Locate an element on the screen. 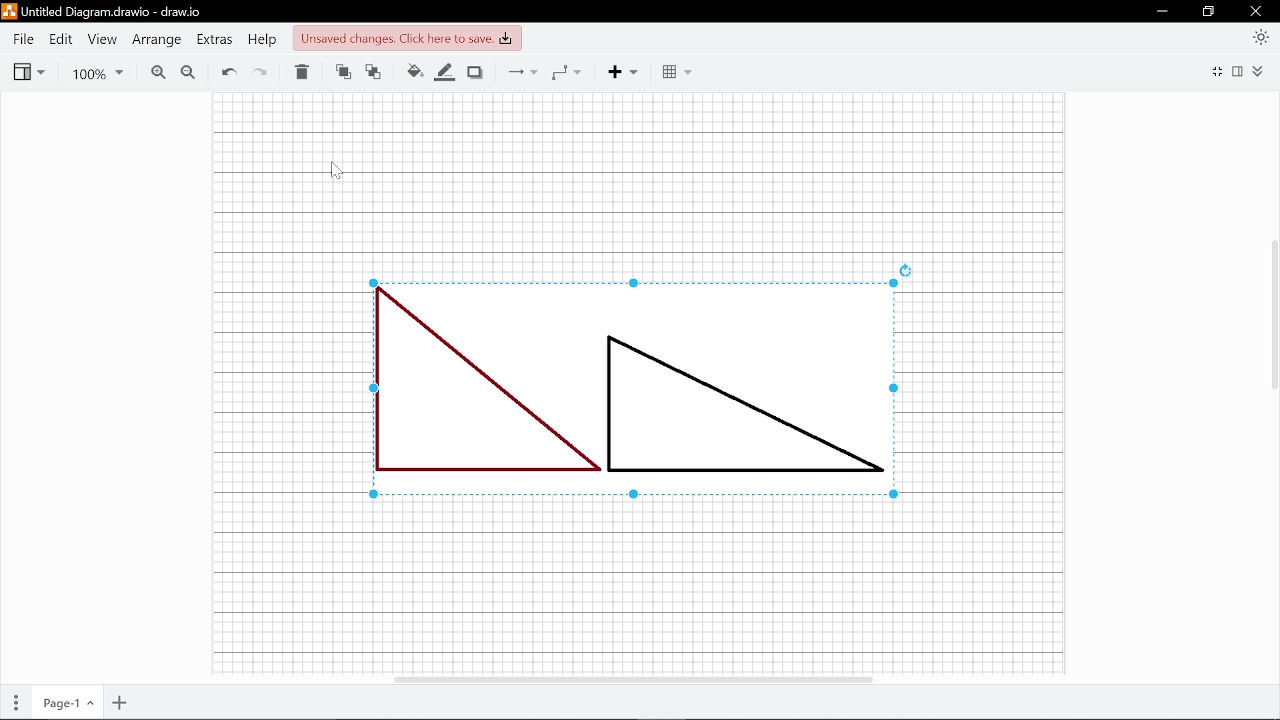 The height and width of the screenshot is (720, 1280). Appearence is located at coordinates (1262, 37).